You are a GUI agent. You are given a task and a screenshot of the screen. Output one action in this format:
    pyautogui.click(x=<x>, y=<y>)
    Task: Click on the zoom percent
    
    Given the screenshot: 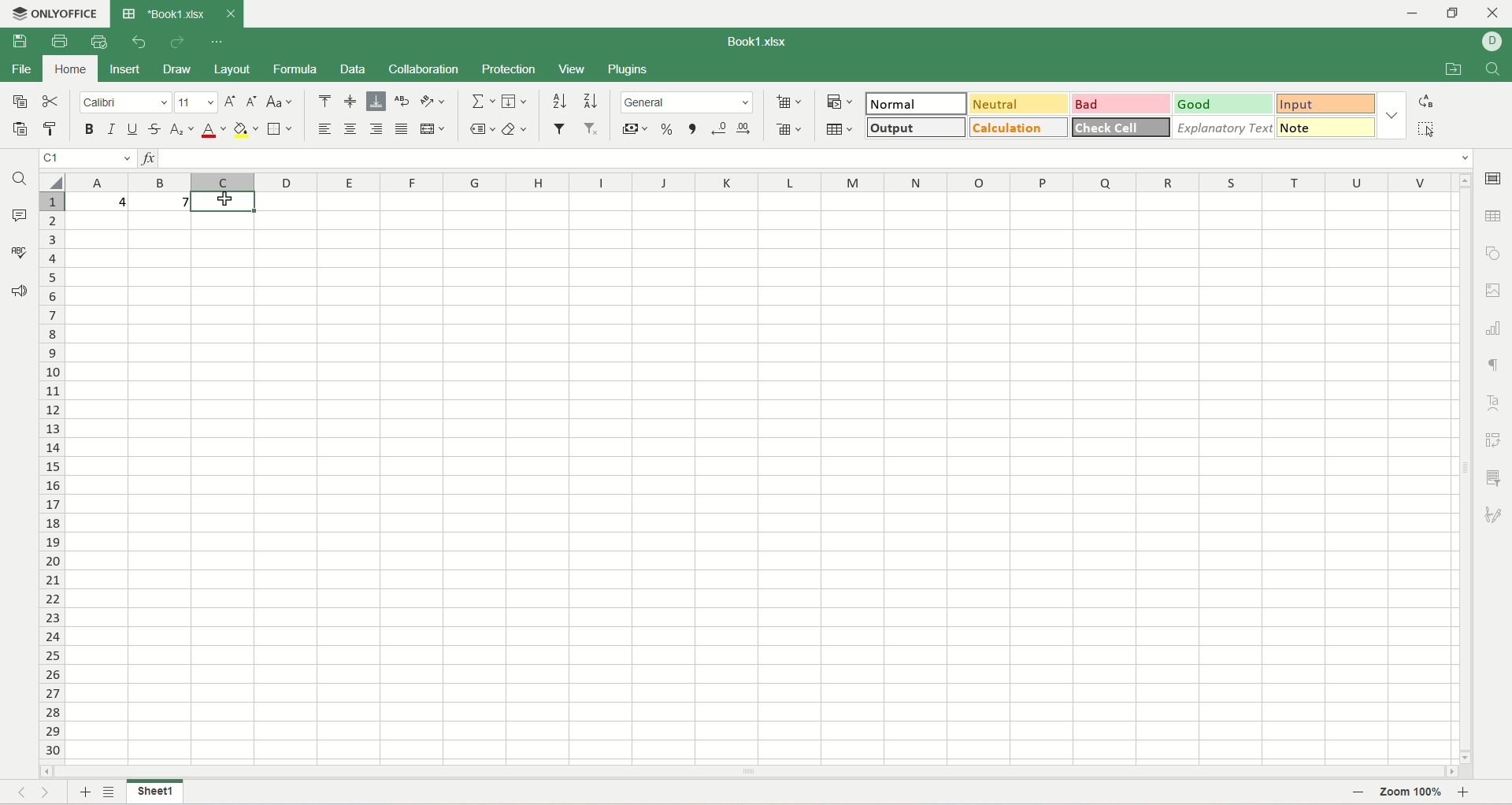 What is the action you would take?
    pyautogui.click(x=1412, y=795)
    